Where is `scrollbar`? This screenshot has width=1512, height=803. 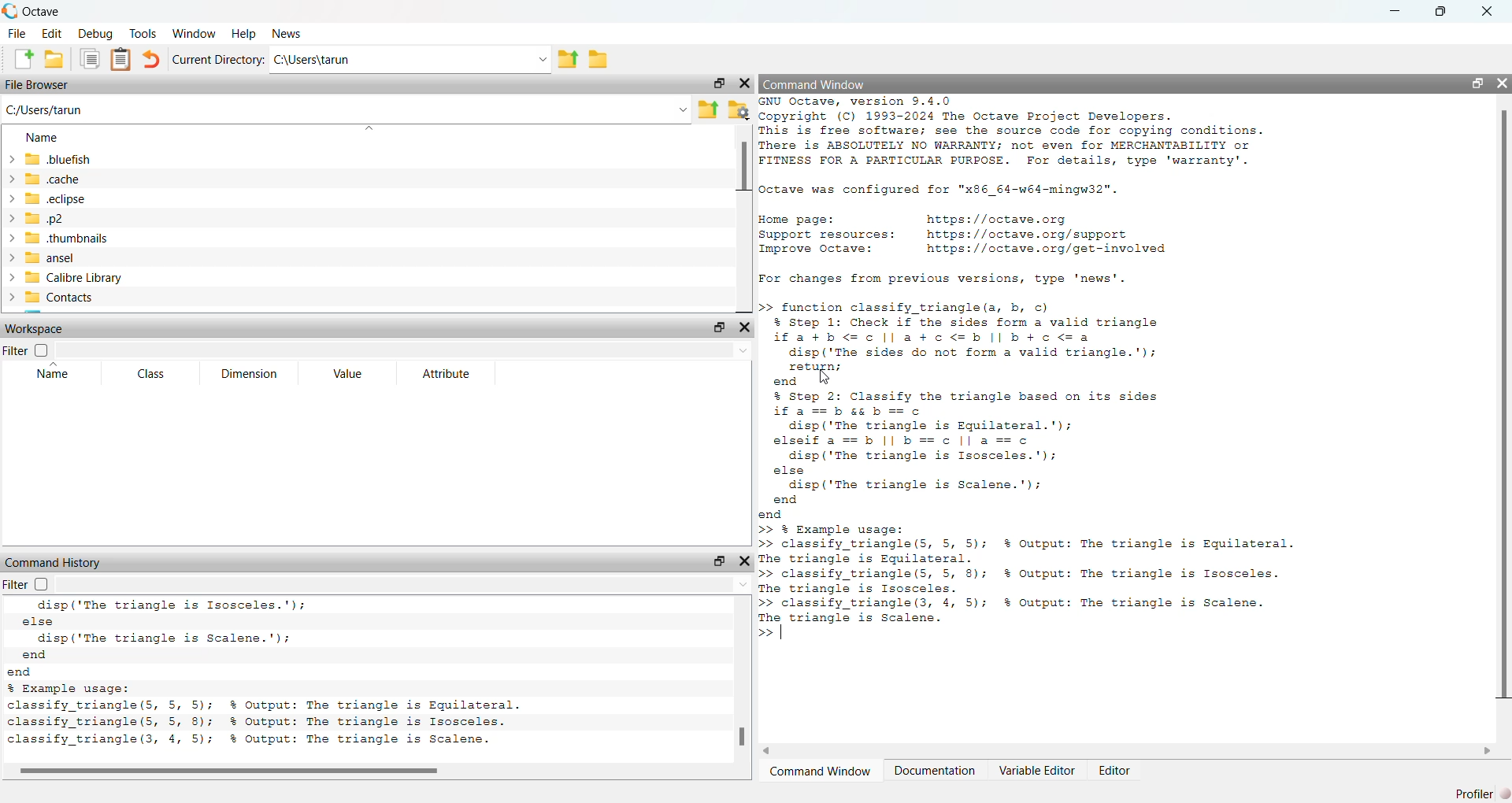
scrollbar is located at coordinates (743, 737).